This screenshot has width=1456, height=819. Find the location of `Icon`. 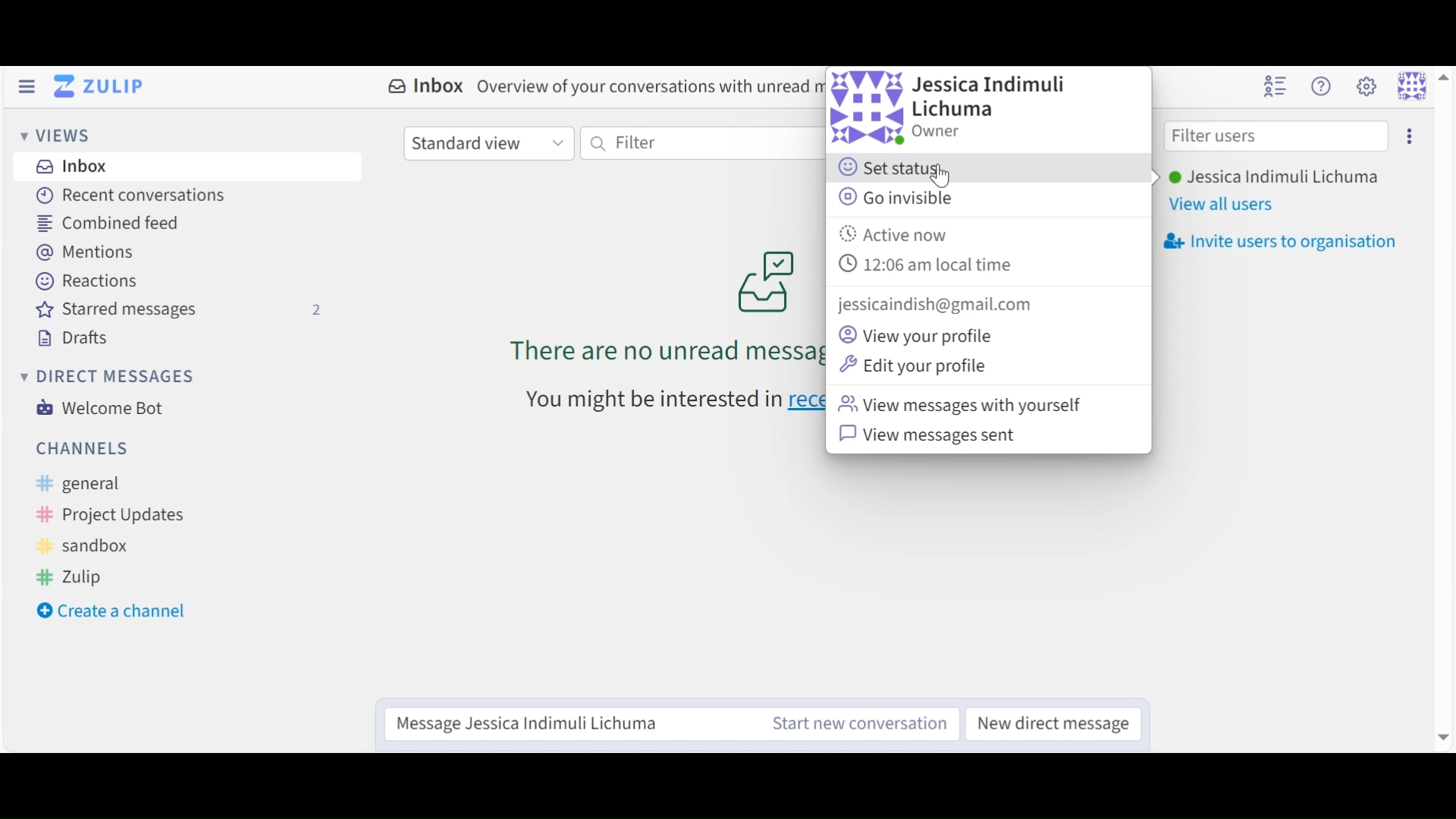

Icon is located at coordinates (868, 108).